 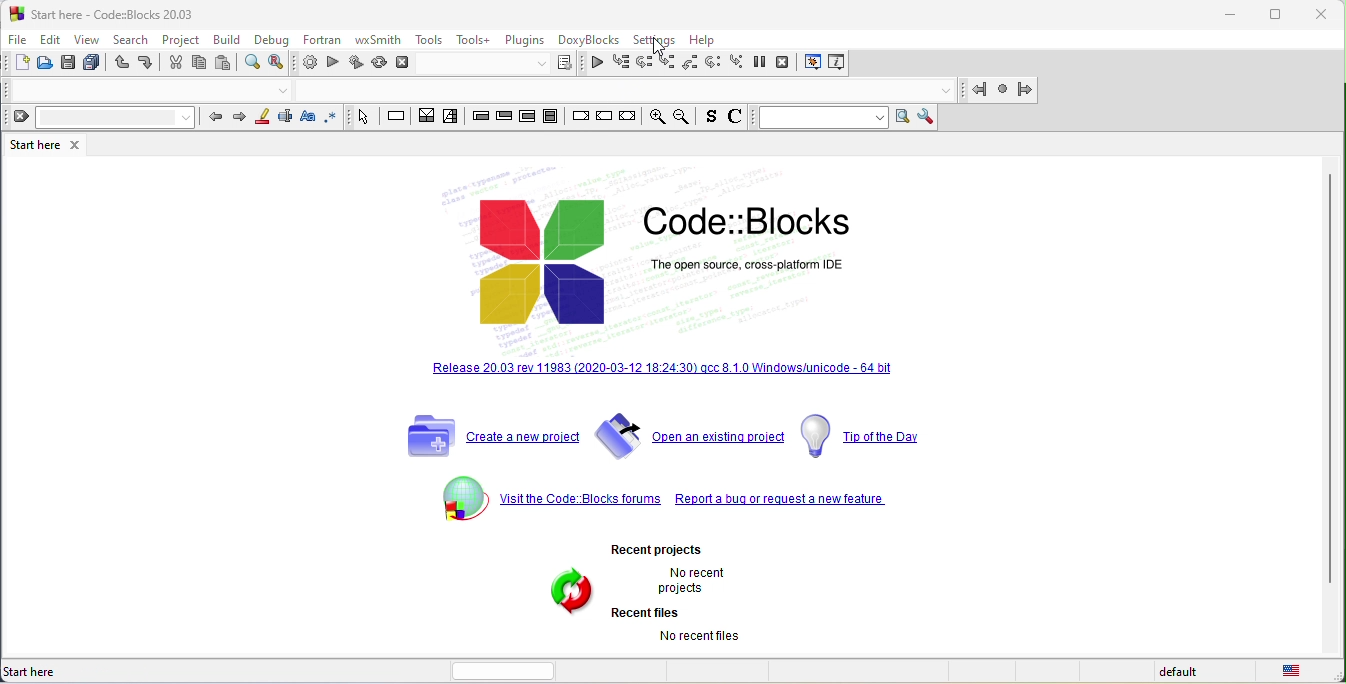 What do you see at coordinates (785, 65) in the screenshot?
I see `stop debugger` at bounding box center [785, 65].